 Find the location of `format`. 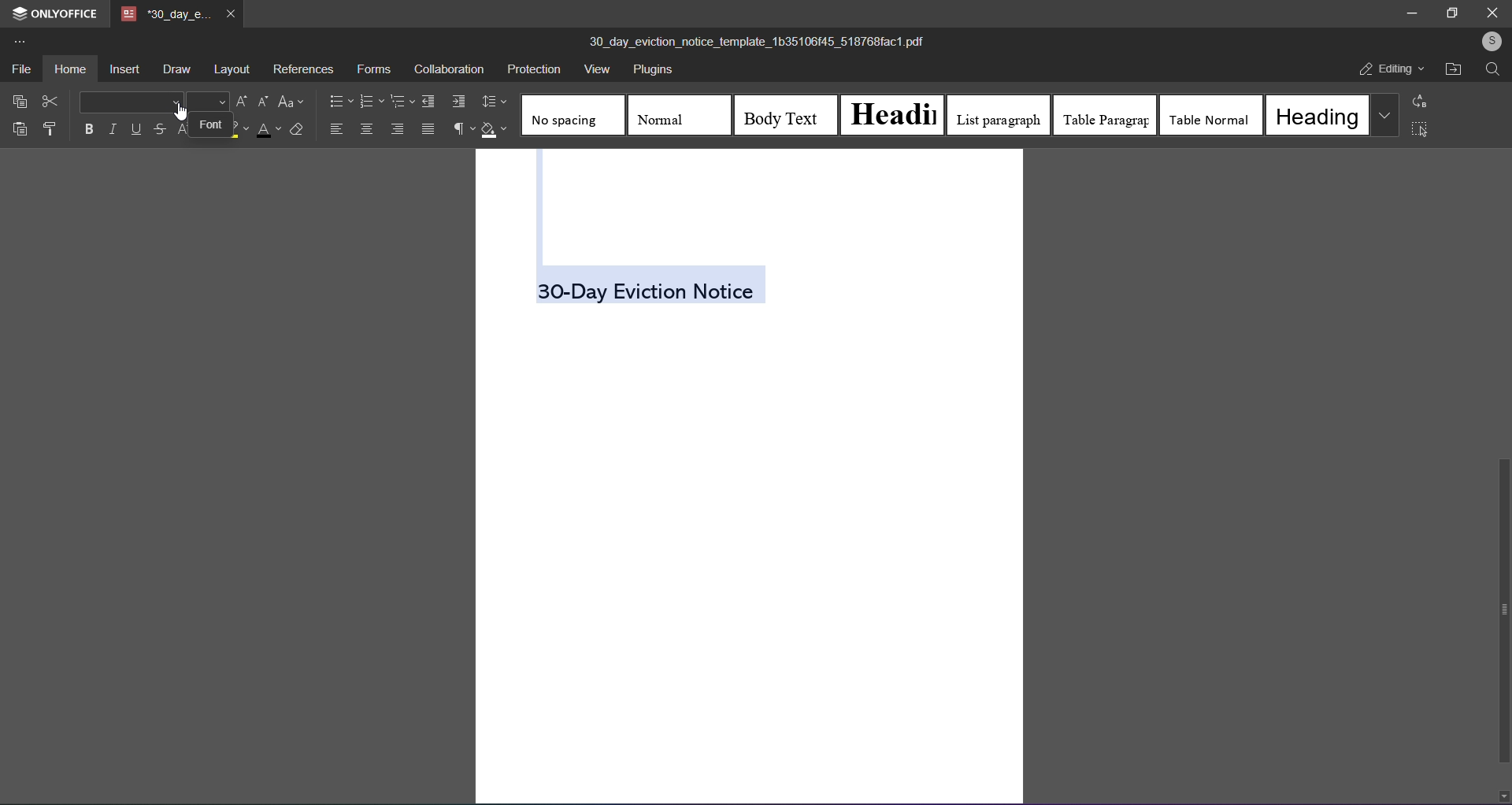

format is located at coordinates (50, 128).